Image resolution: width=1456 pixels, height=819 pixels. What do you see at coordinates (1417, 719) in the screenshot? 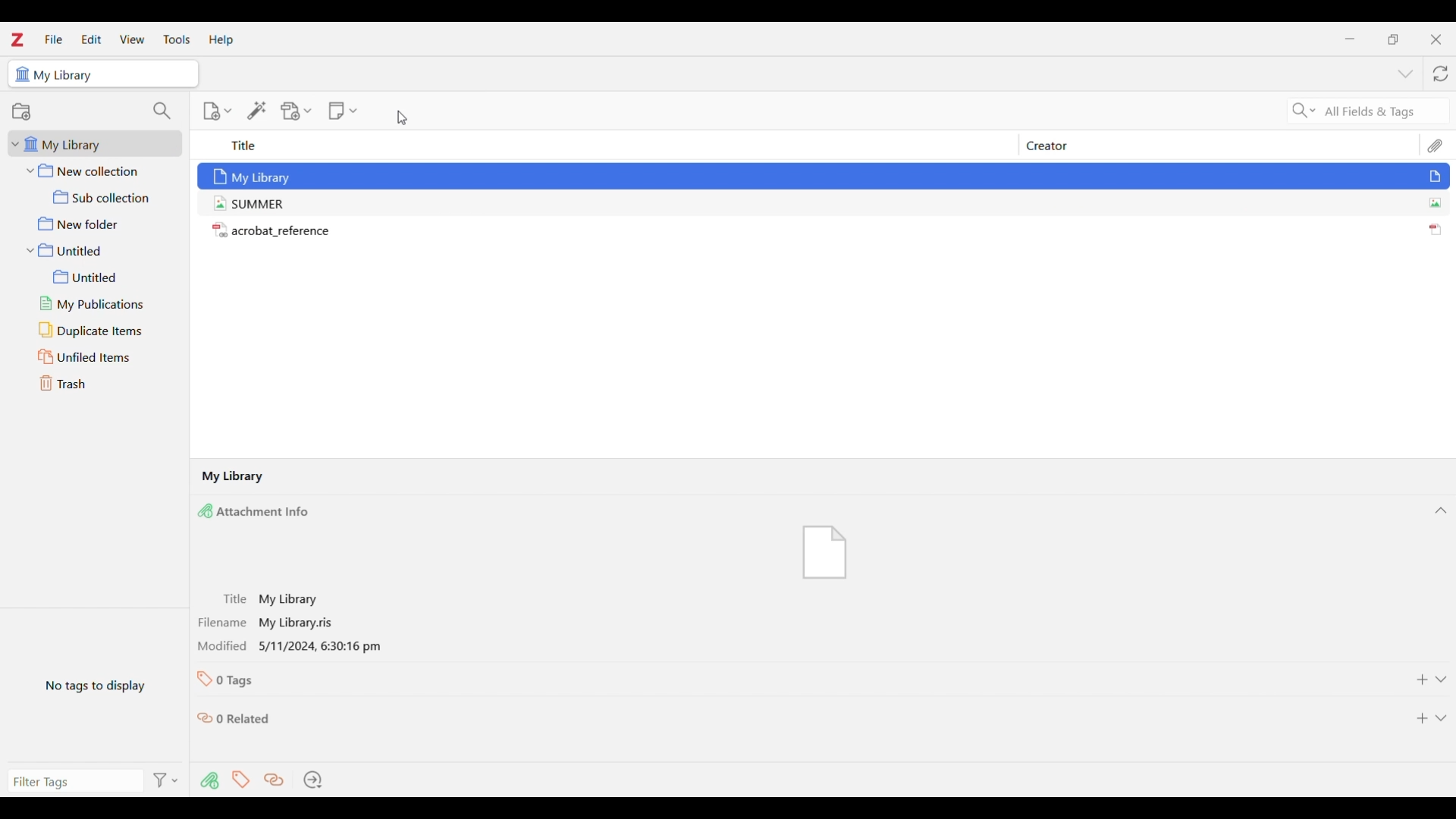
I see `Add` at bounding box center [1417, 719].